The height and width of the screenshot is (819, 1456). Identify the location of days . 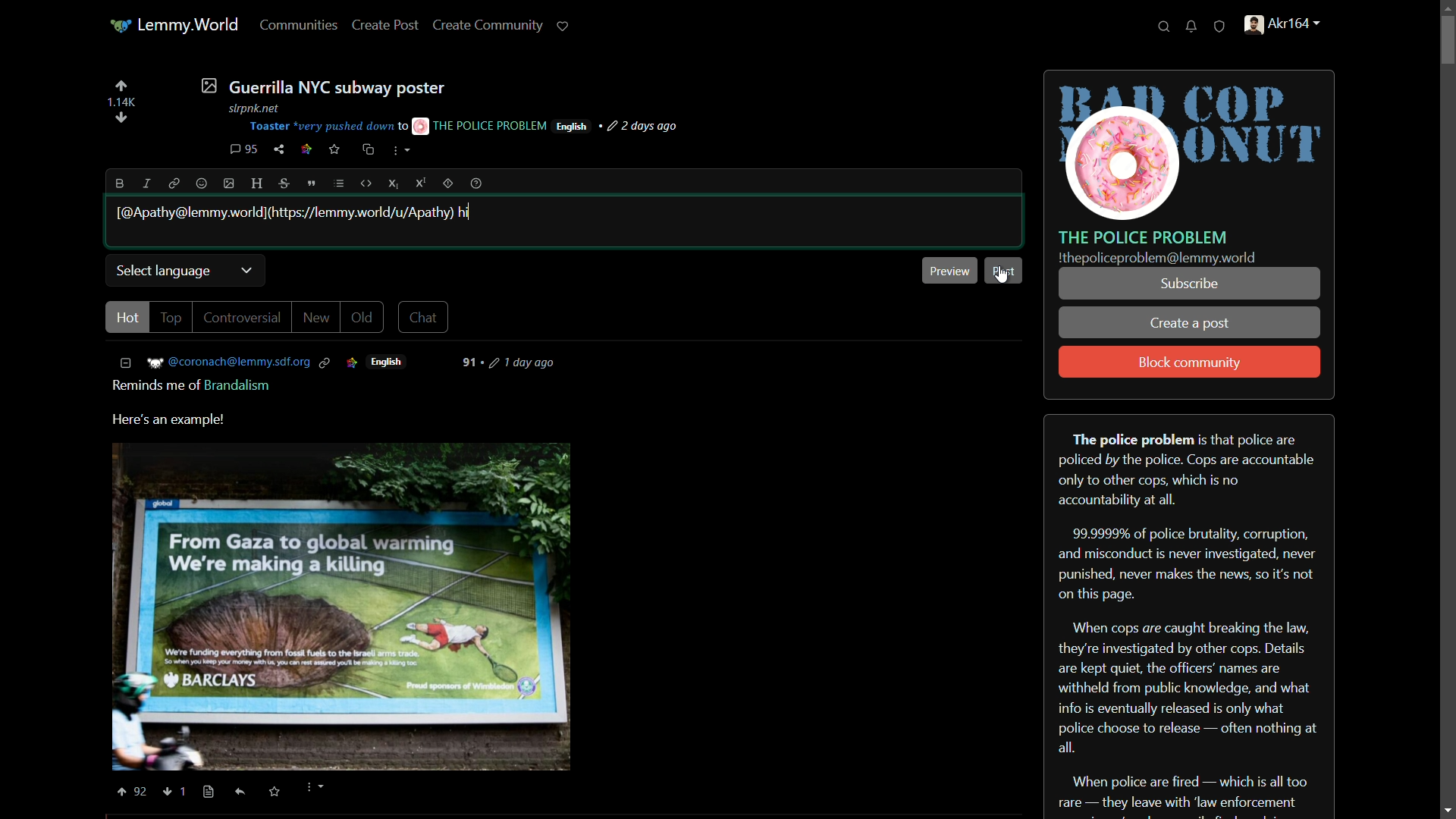
(516, 362).